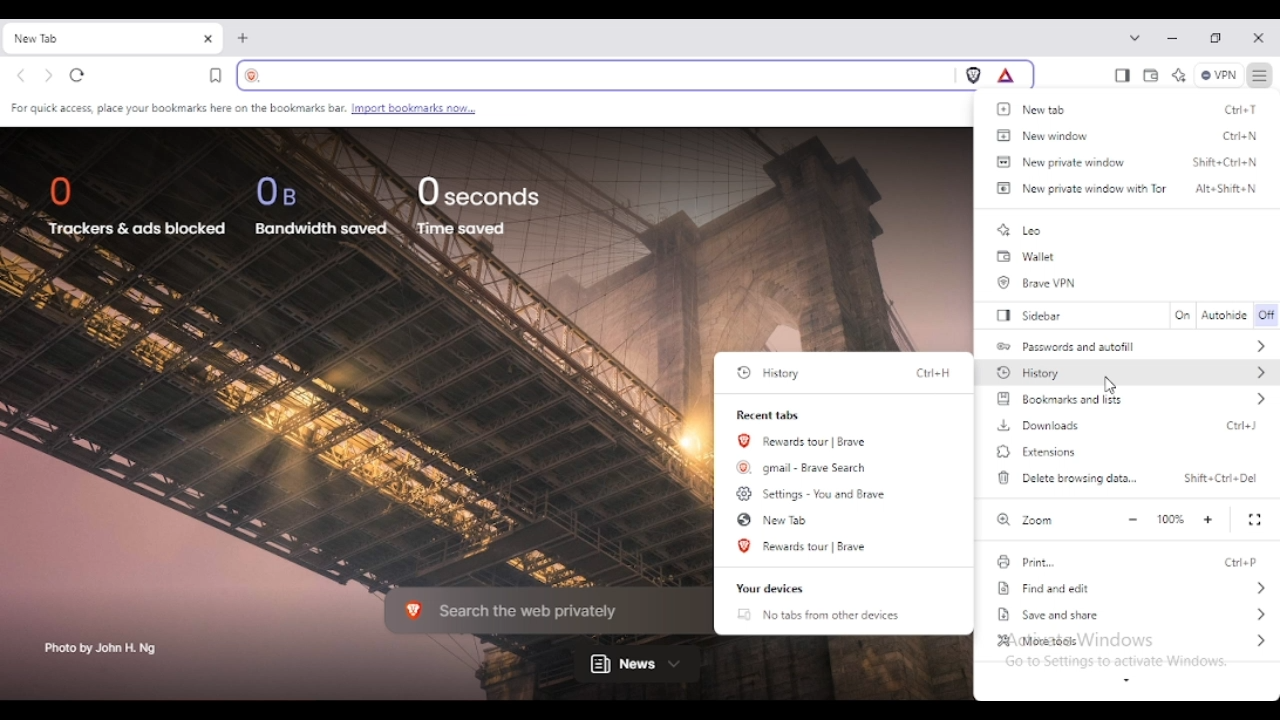 The image size is (1280, 720). I want to click on minimize, so click(1173, 38).